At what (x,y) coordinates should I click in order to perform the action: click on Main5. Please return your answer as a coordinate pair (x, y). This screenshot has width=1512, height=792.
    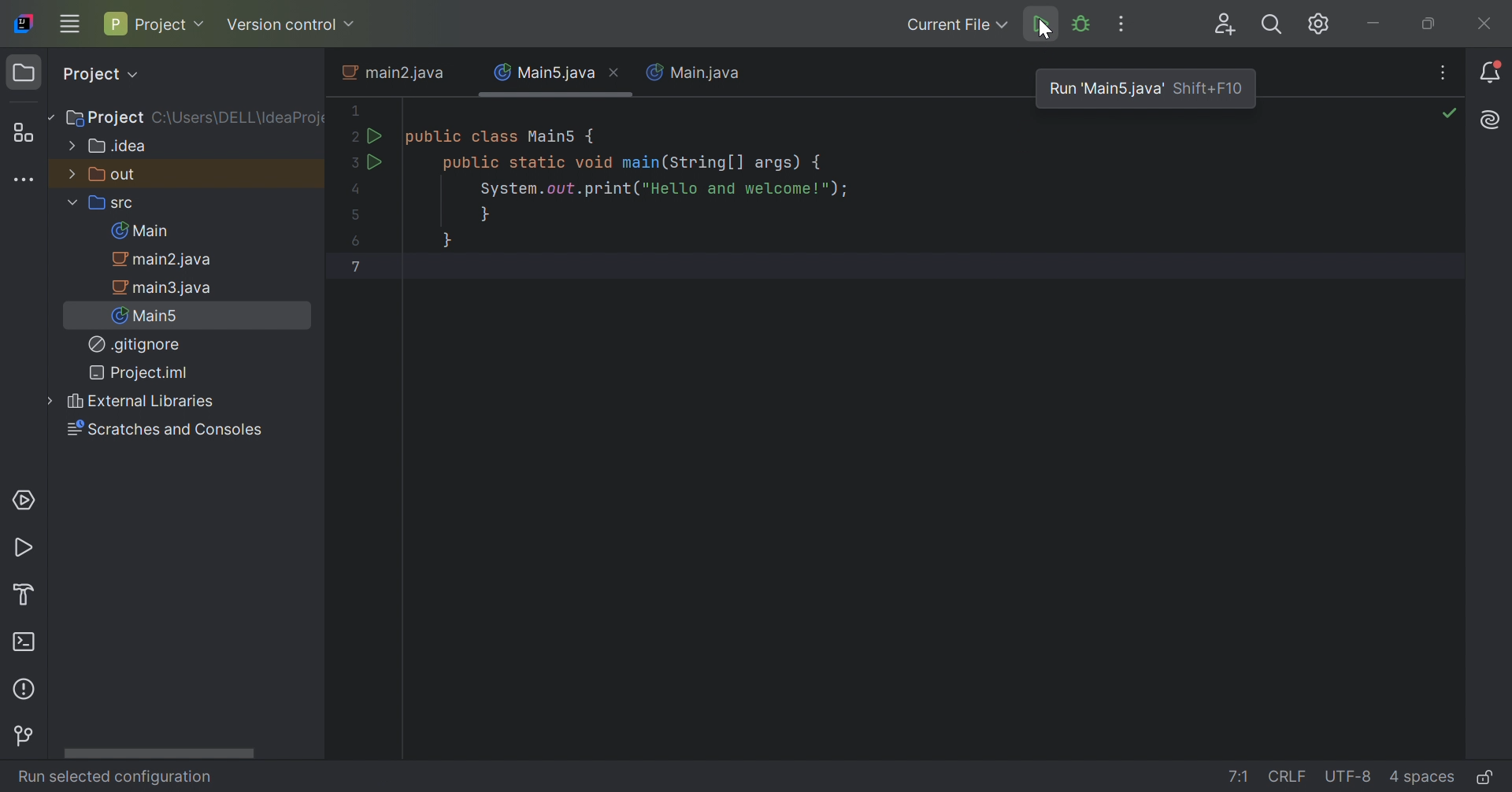
    Looking at the image, I should click on (149, 316).